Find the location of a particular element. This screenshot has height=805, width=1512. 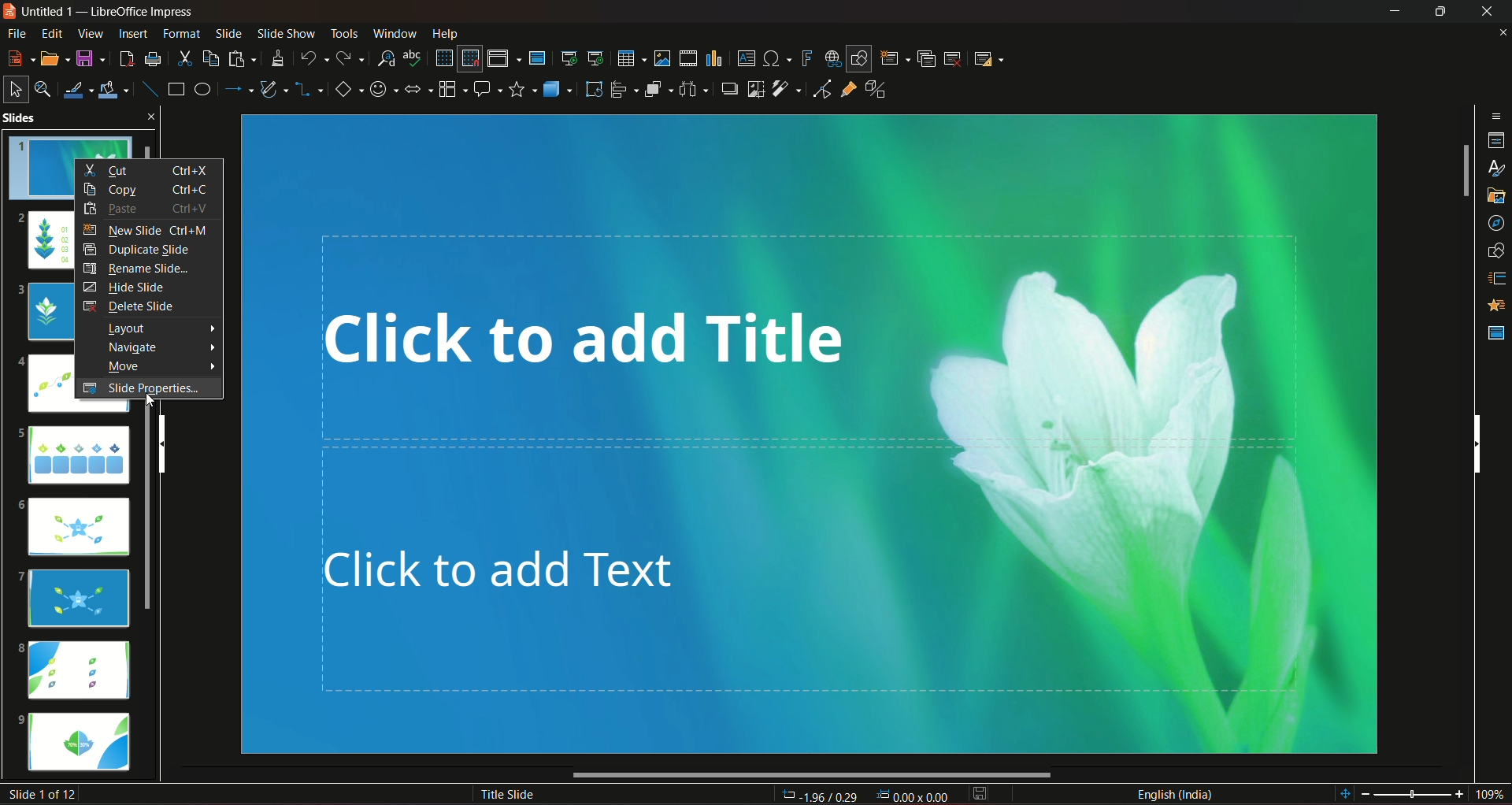

logo and title is located at coordinates (102, 14).